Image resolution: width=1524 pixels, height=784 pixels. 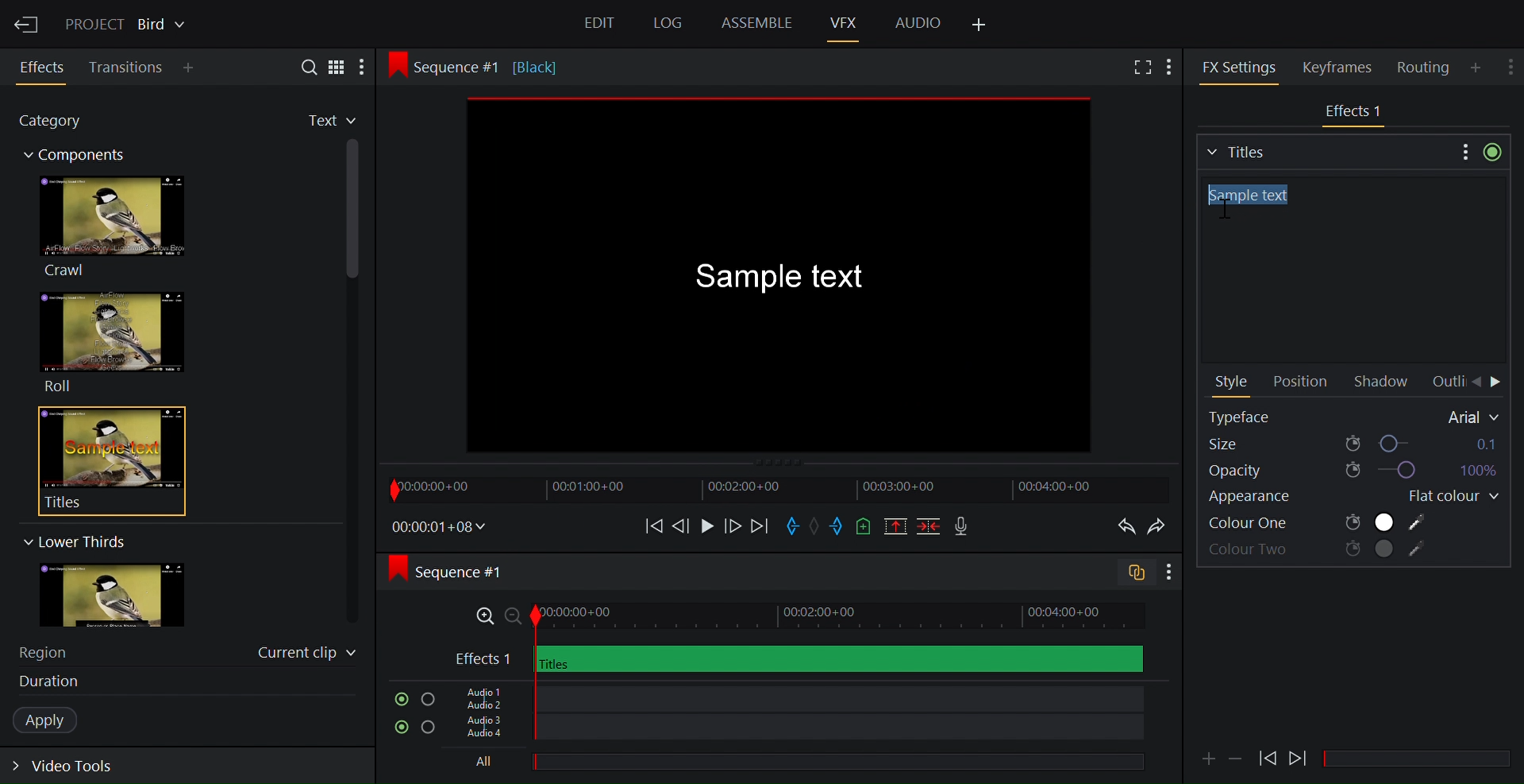 What do you see at coordinates (1233, 207) in the screenshot?
I see `cursor` at bounding box center [1233, 207].